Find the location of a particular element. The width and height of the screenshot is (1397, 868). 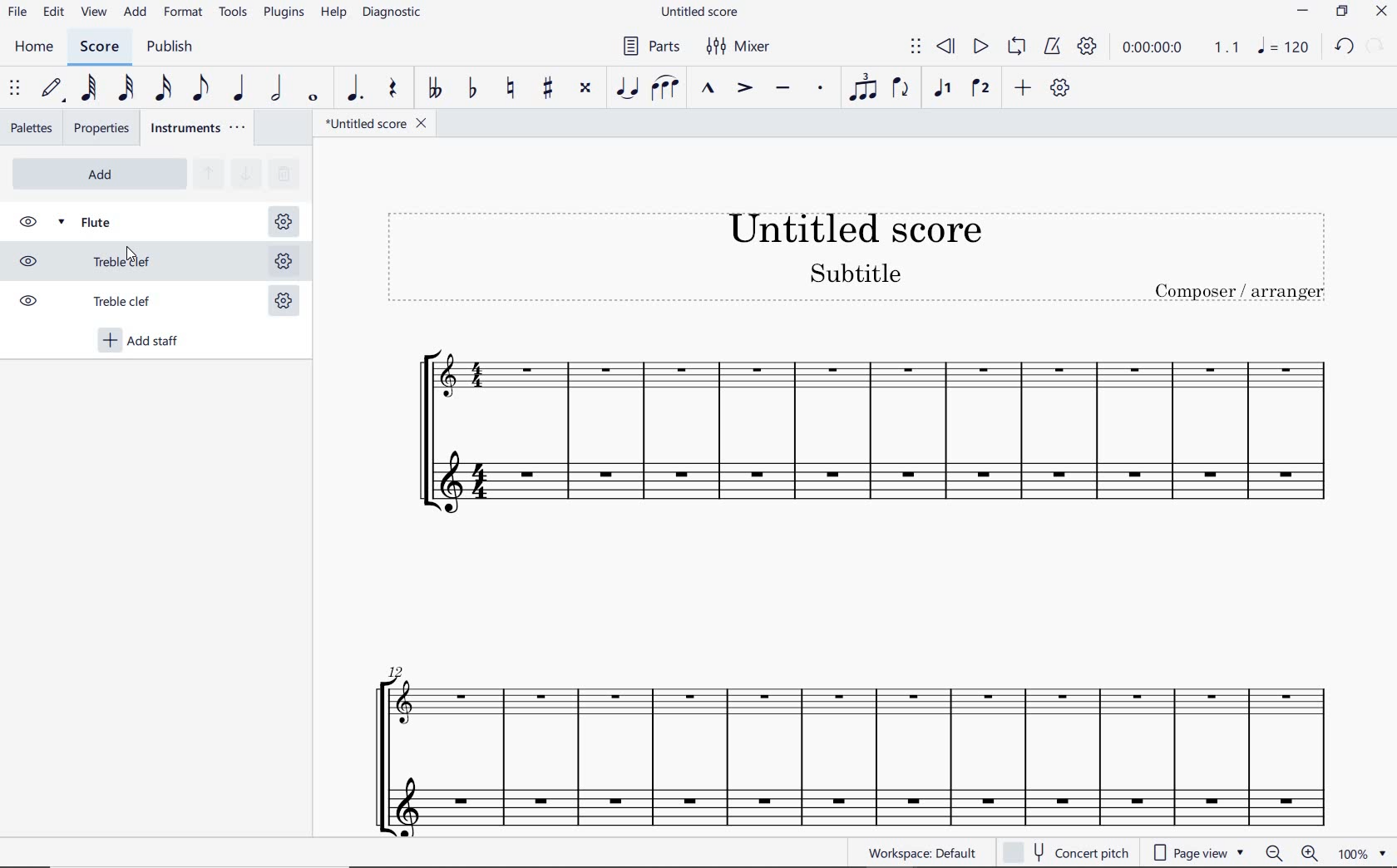

REMOVE SELECTED INSTRUMENTS is located at coordinates (282, 172).